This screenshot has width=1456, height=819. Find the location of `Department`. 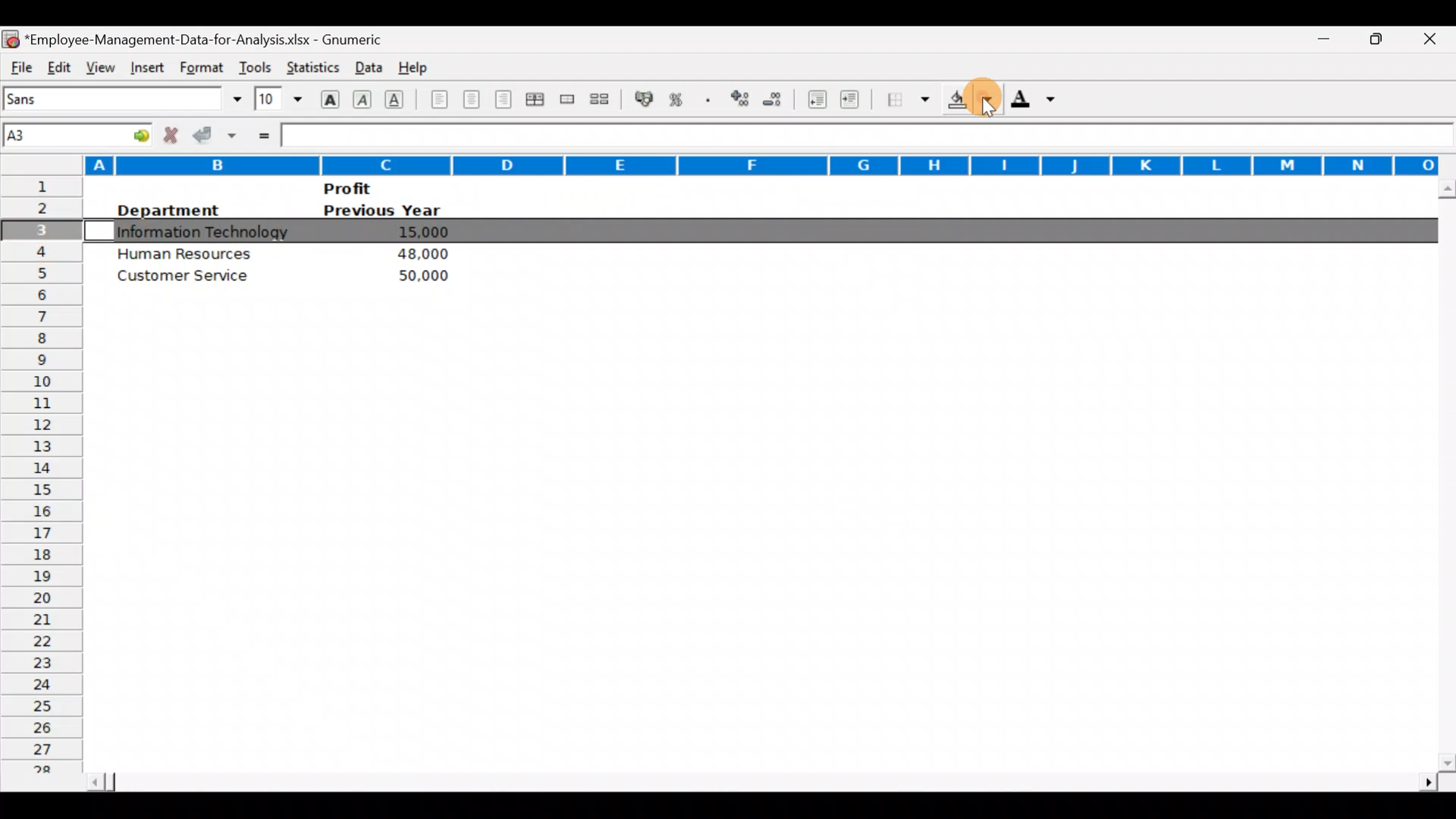

Department is located at coordinates (167, 210).